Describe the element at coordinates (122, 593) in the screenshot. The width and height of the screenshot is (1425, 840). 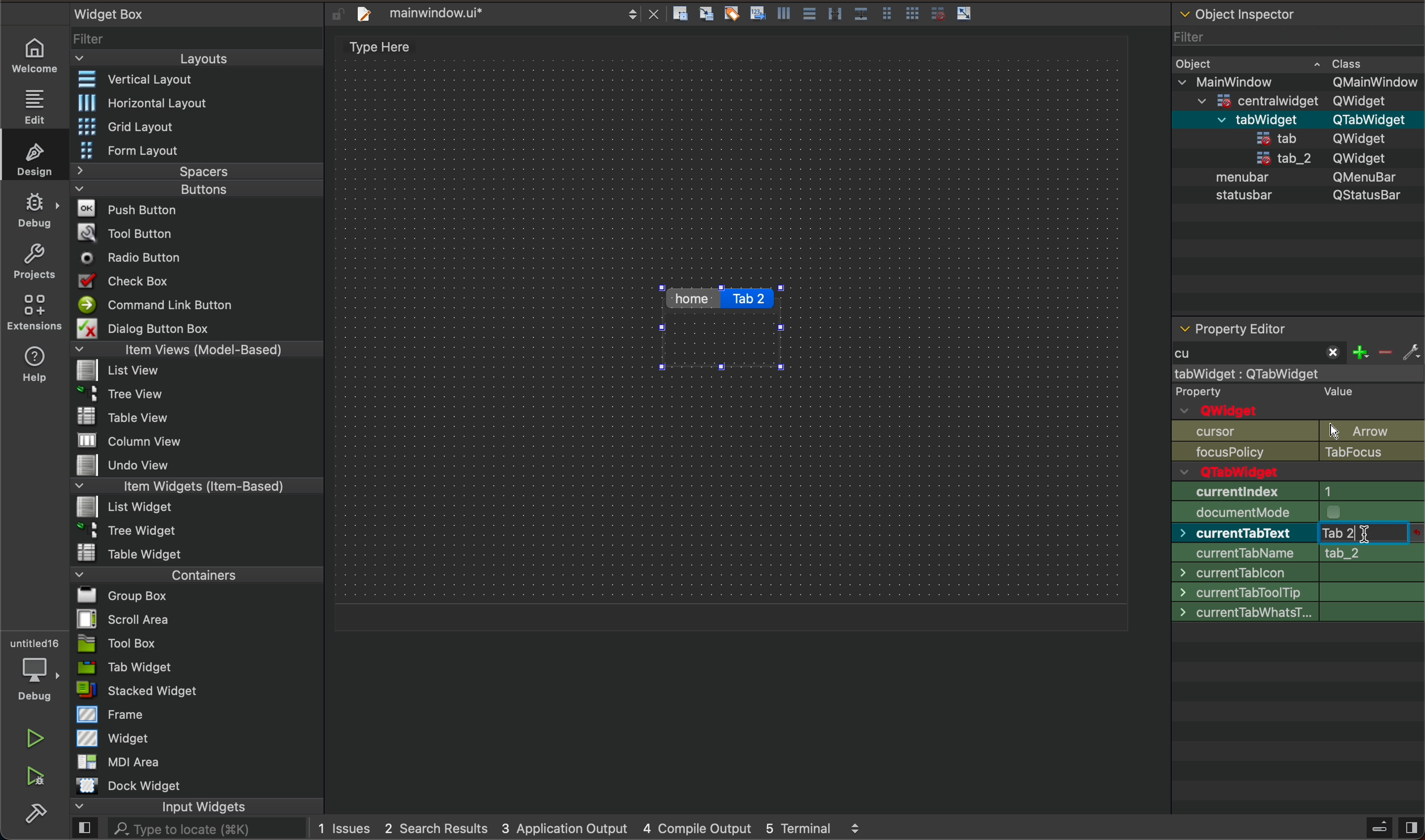
I see `Bl Group Box` at that location.